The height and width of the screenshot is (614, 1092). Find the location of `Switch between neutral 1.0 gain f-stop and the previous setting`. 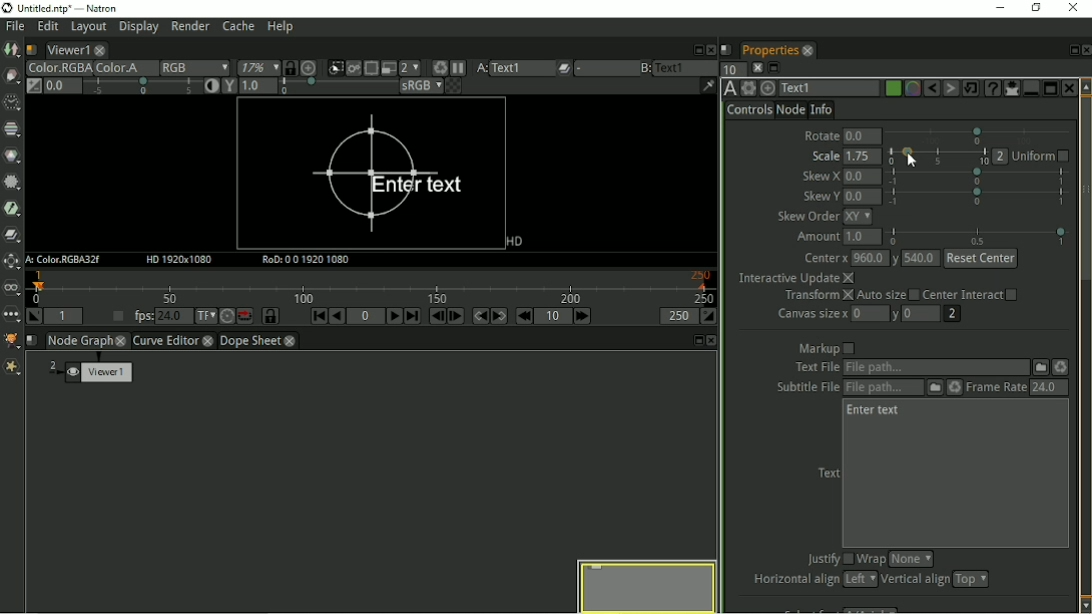

Switch between neutral 1.0 gain f-stop and the previous setting is located at coordinates (33, 87).